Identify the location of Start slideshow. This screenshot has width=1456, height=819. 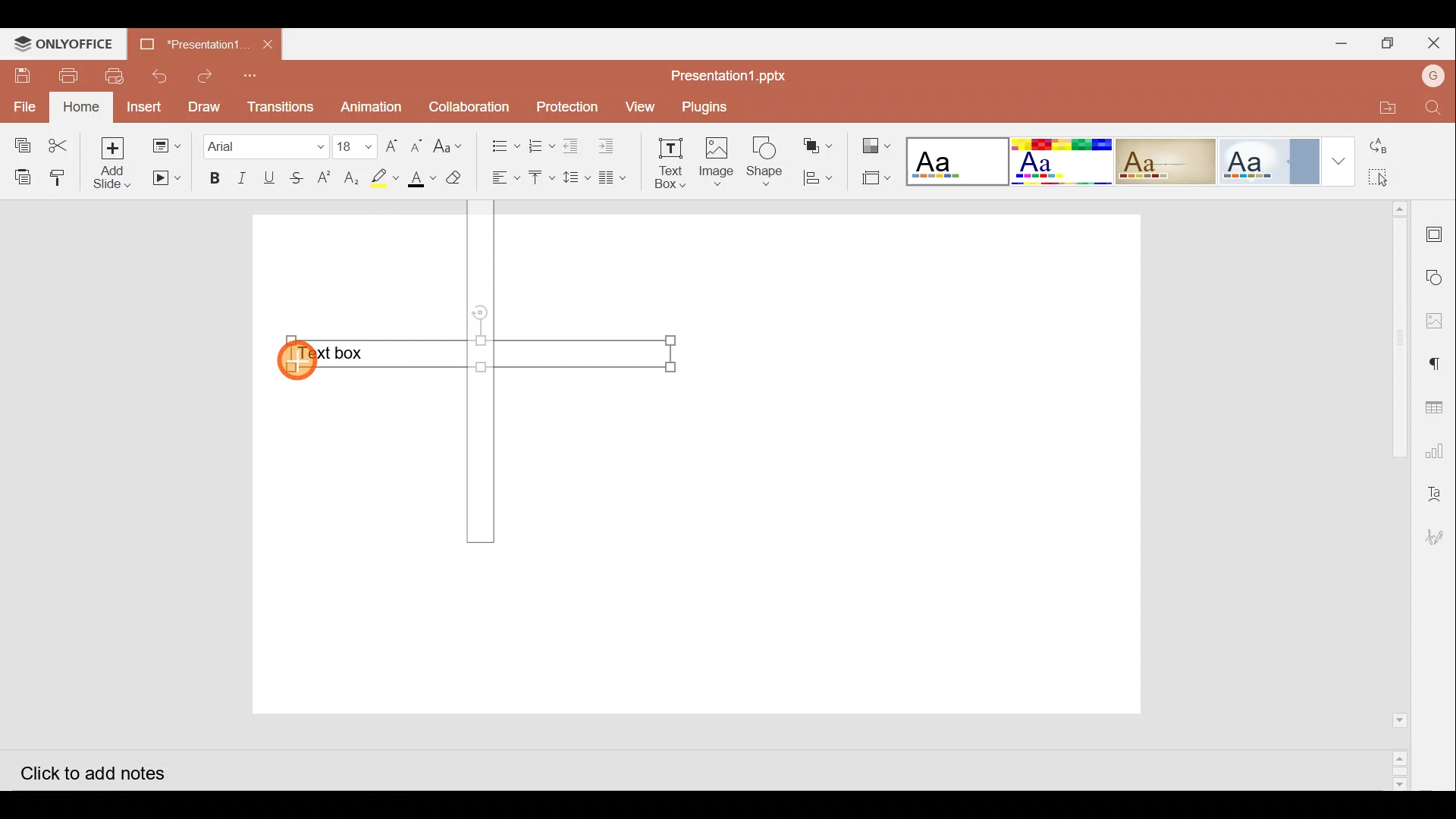
(165, 178).